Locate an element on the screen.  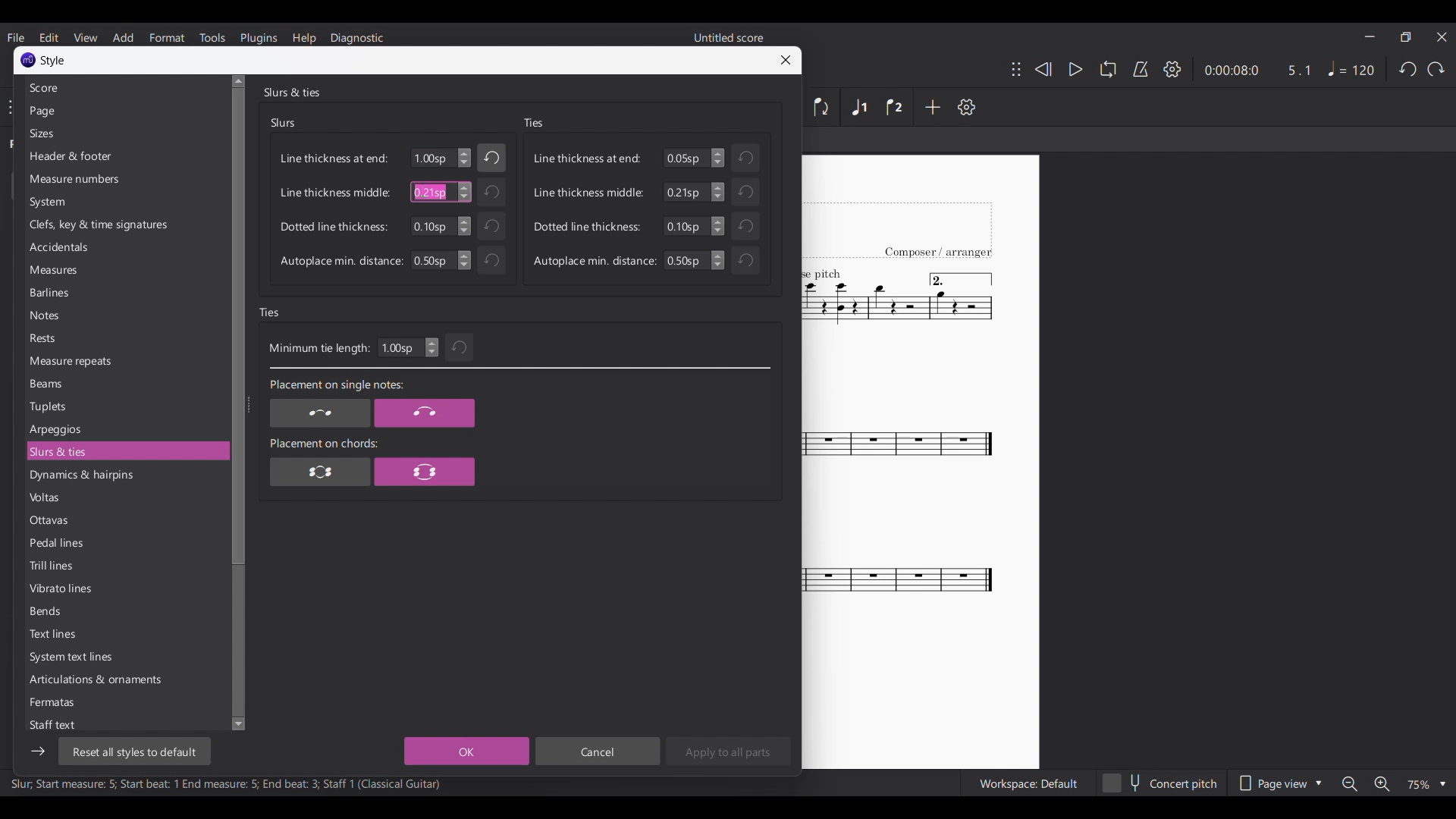
Input numbers for line thickness at end is located at coordinates (686, 158).